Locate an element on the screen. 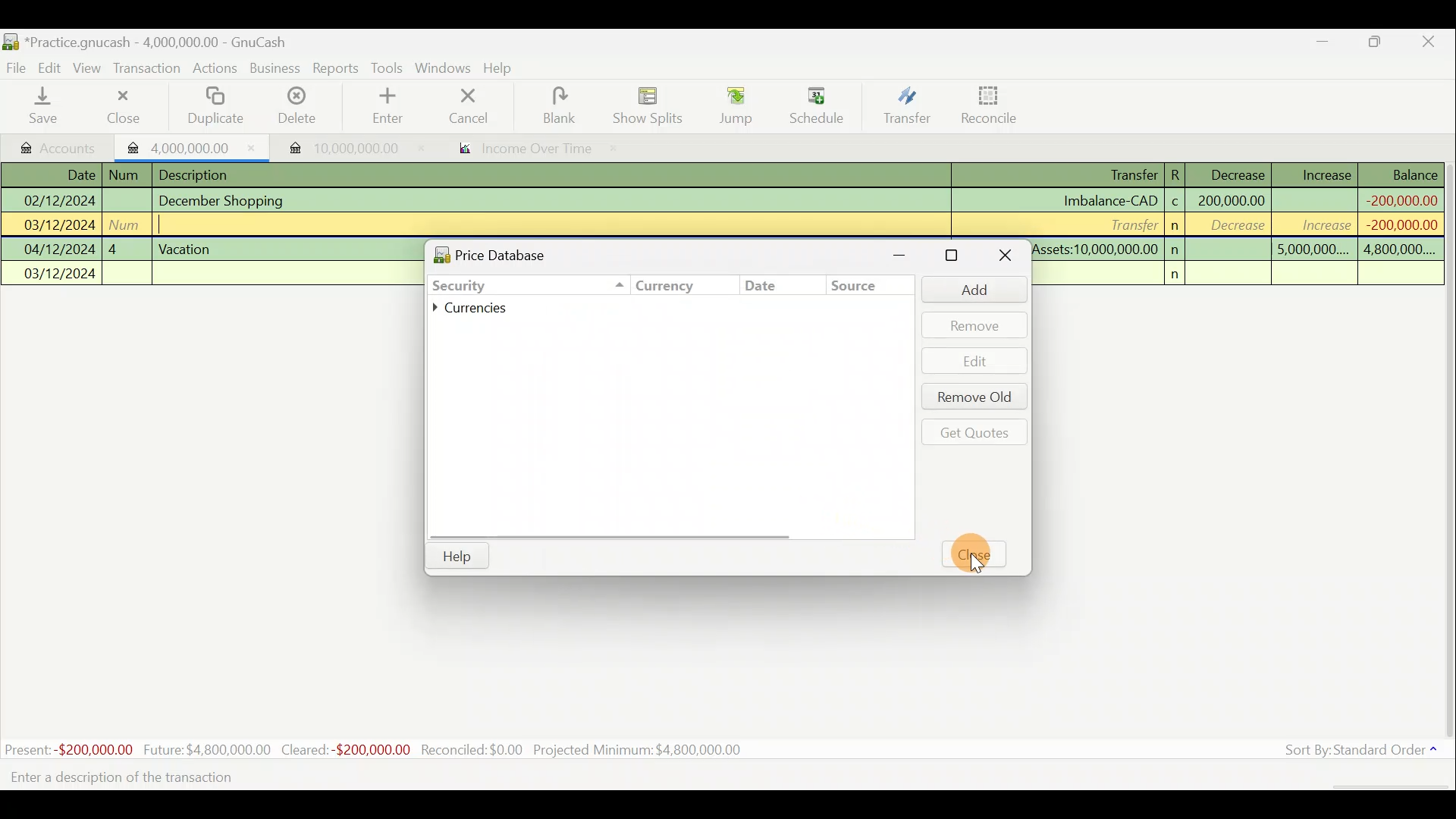 The width and height of the screenshot is (1456, 819). Reports is located at coordinates (335, 68).